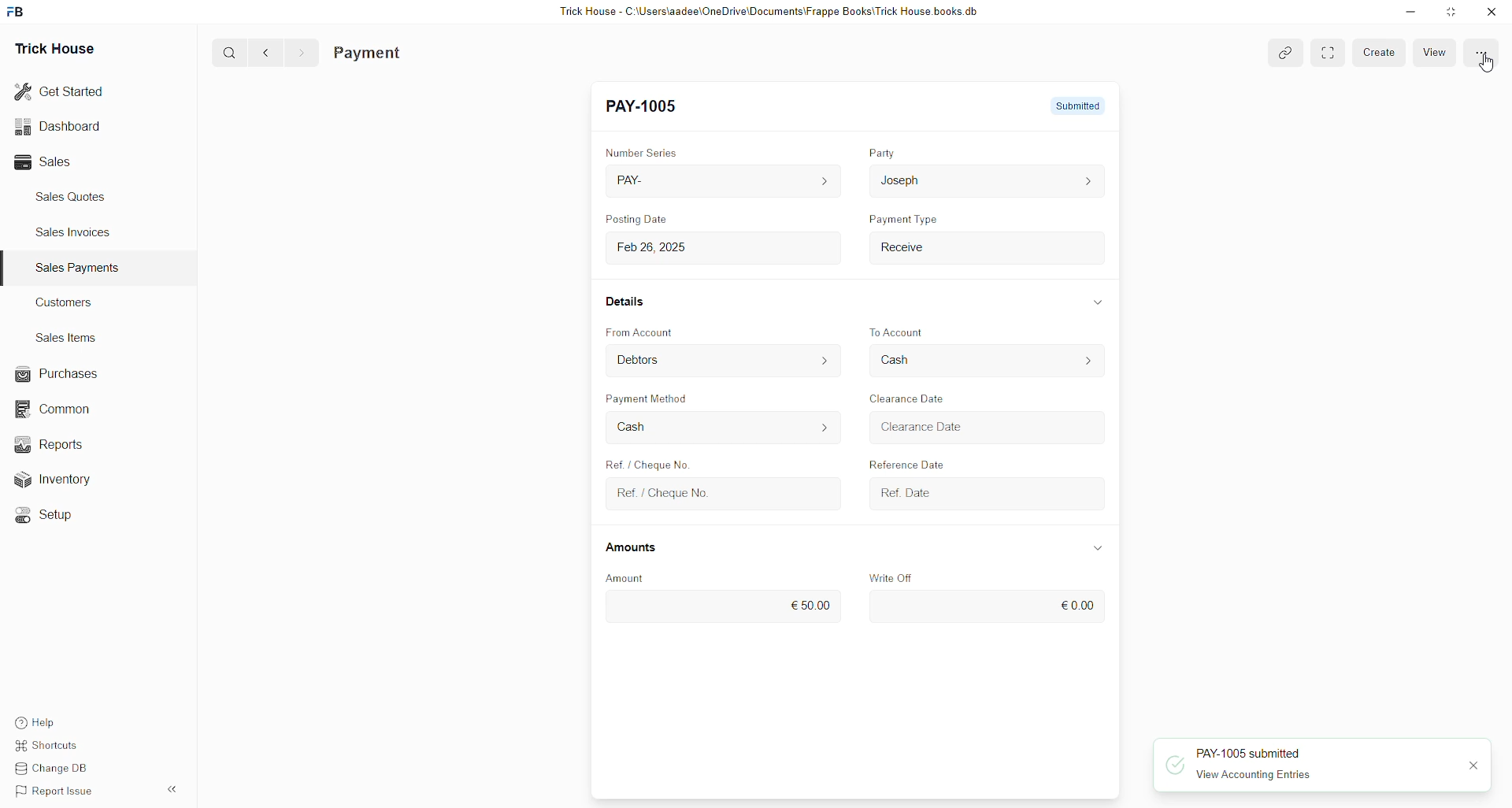 The image size is (1512, 808). Describe the element at coordinates (699, 769) in the screenshot. I see `+ Add Row` at that location.